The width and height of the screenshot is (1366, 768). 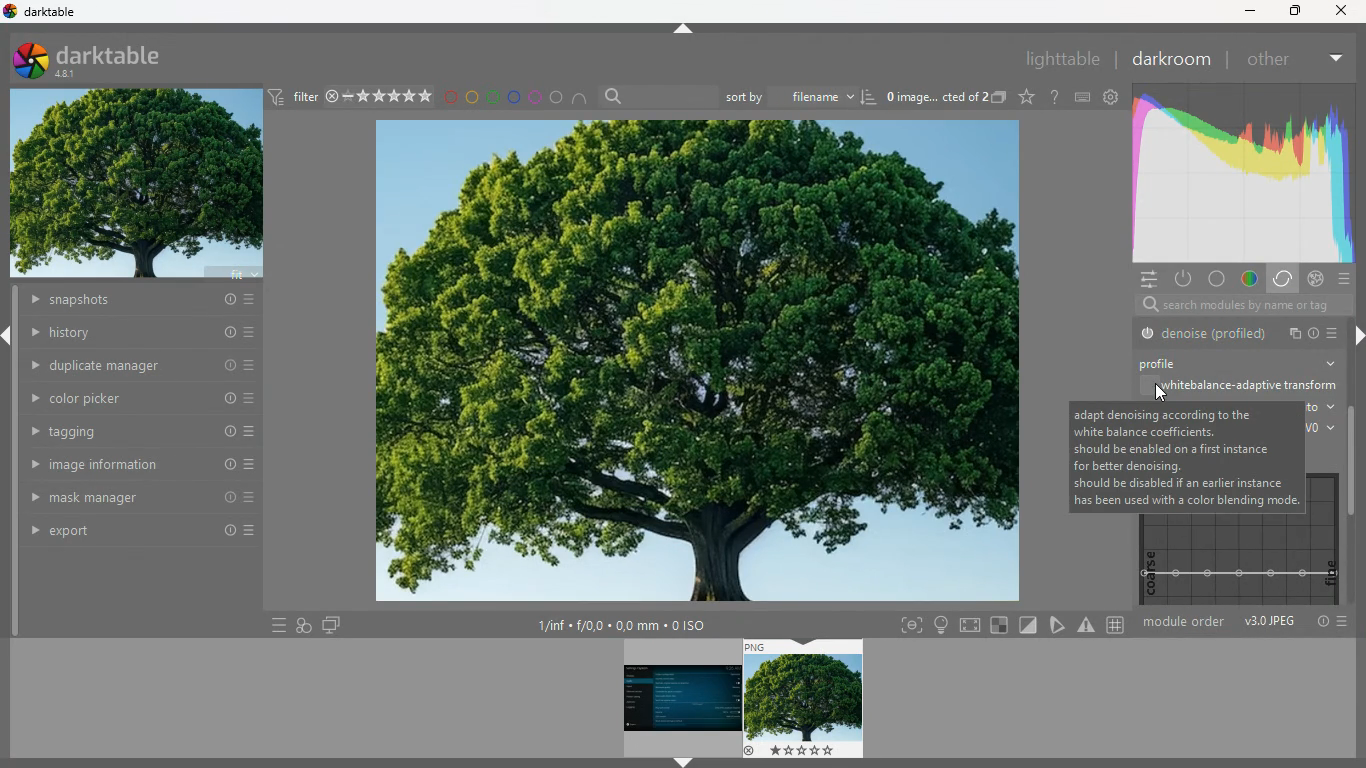 I want to click on semi circle, so click(x=581, y=97).